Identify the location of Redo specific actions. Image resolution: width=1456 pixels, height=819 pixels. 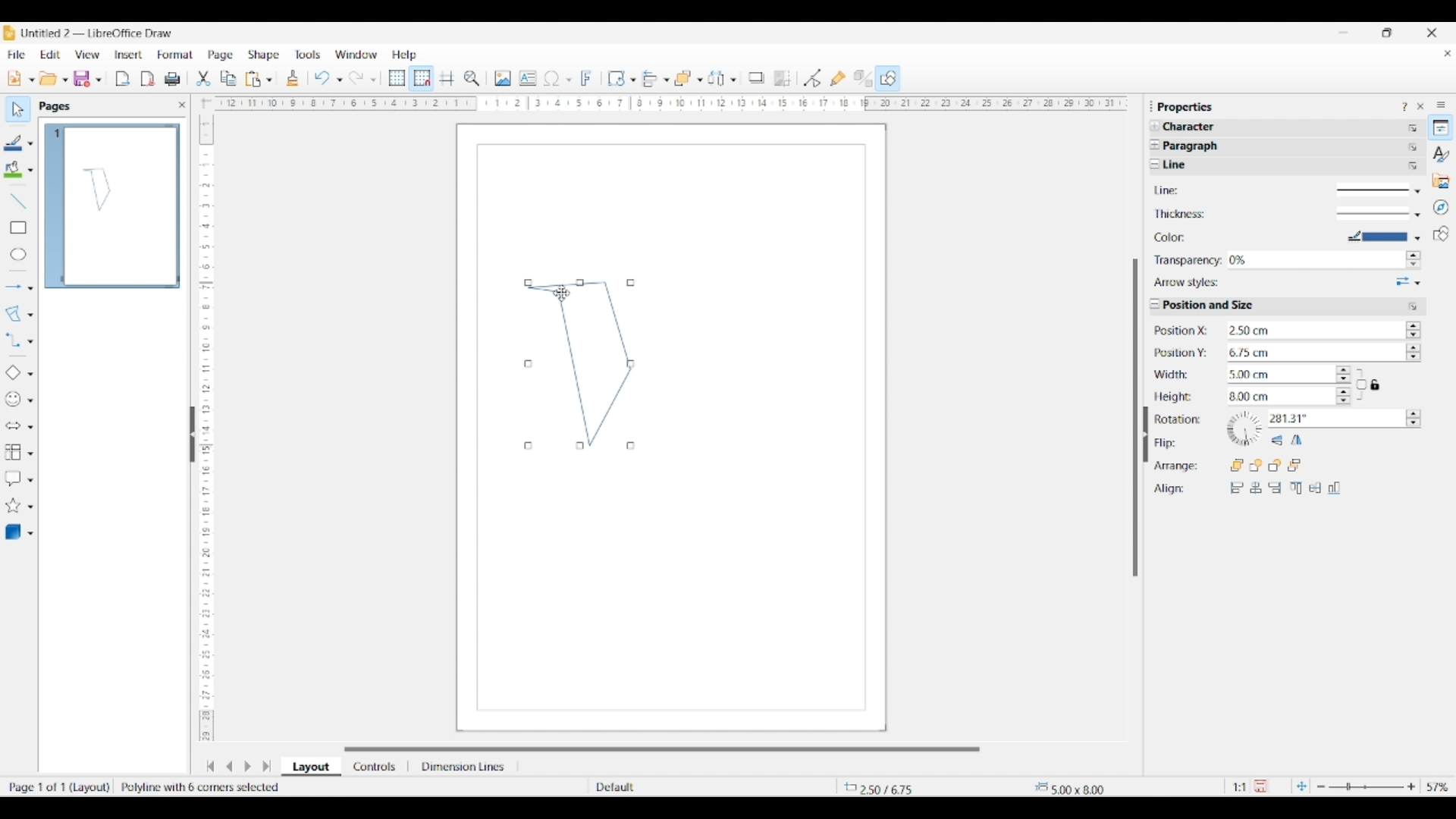
(373, 80).